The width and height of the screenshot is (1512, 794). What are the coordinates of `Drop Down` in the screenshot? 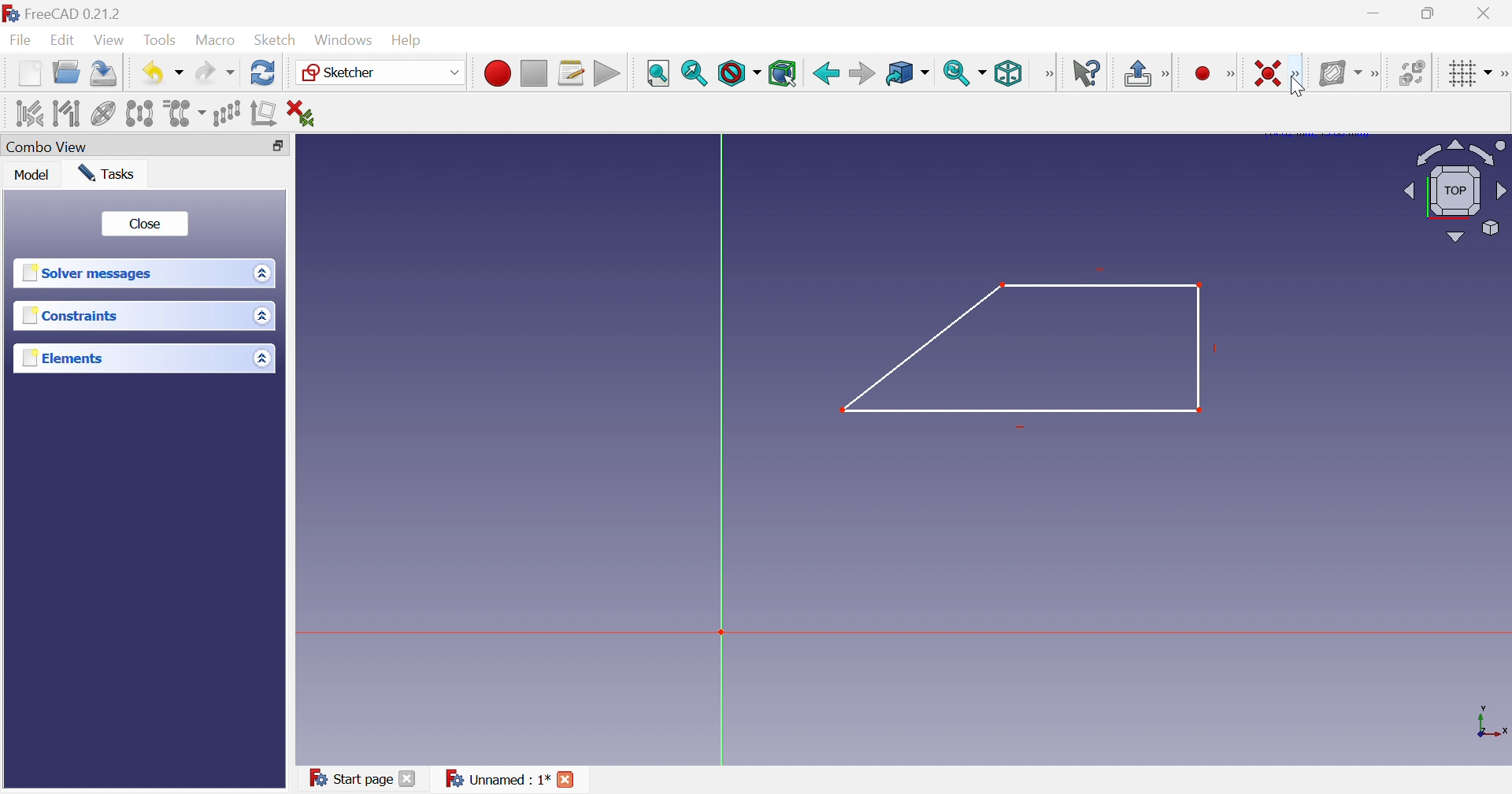 It's located at (259, 273).